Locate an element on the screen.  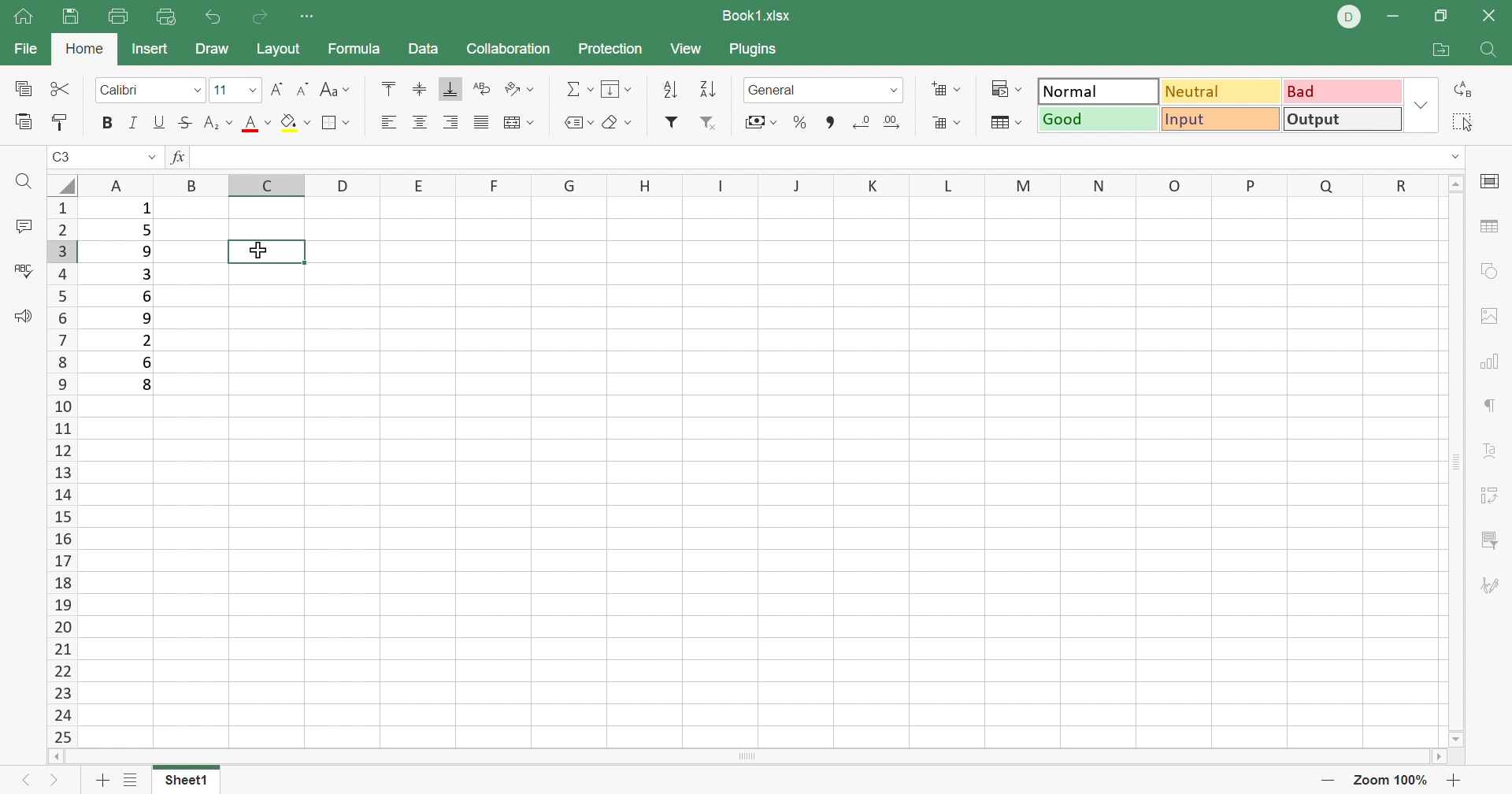
Zoom out is located at coordinates (1324, 783).